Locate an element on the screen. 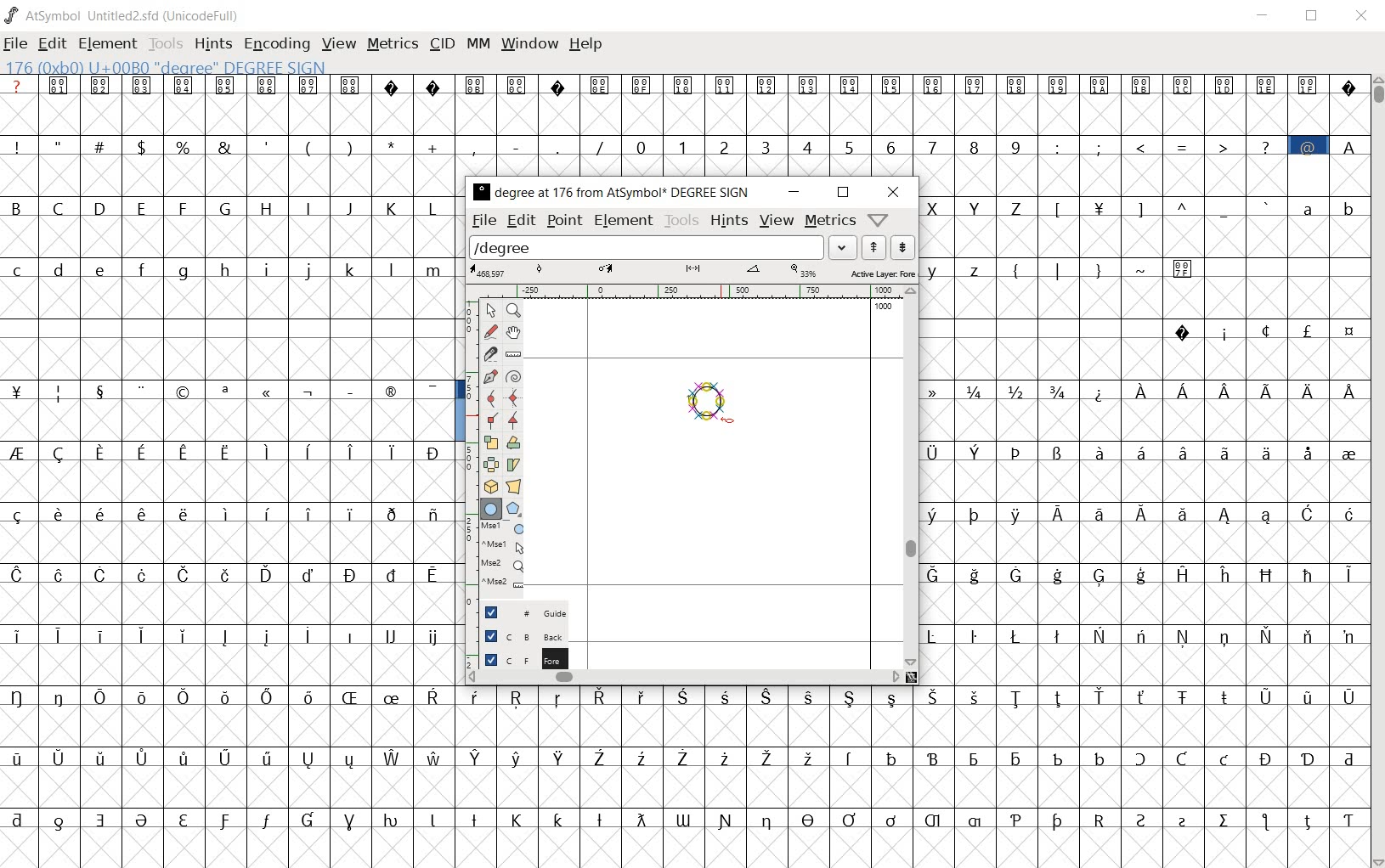  restore down is located at coordinates (843, 194).